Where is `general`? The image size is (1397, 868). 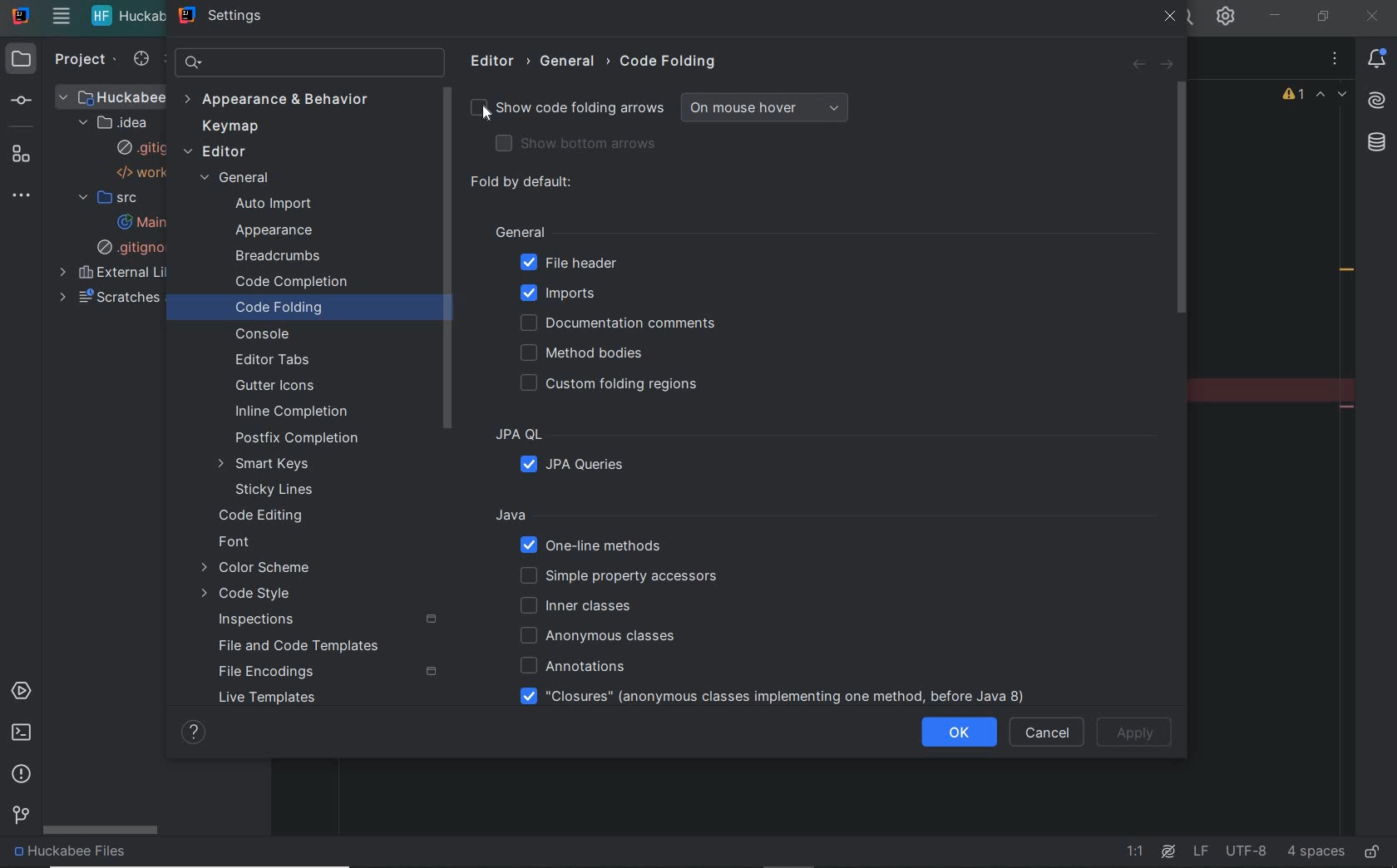 general is located at coordinates (238, 179).